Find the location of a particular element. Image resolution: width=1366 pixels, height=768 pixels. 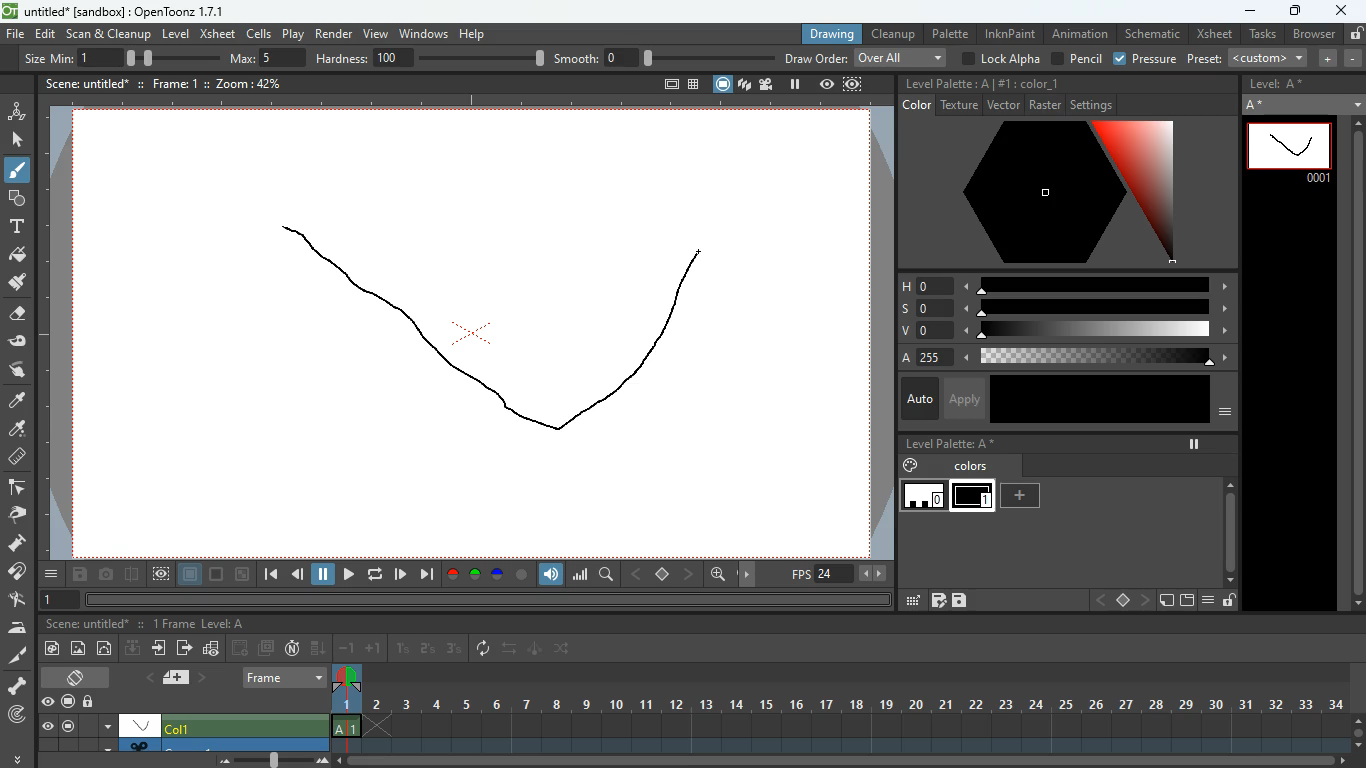

browser is located at coordinates (1313, 35).